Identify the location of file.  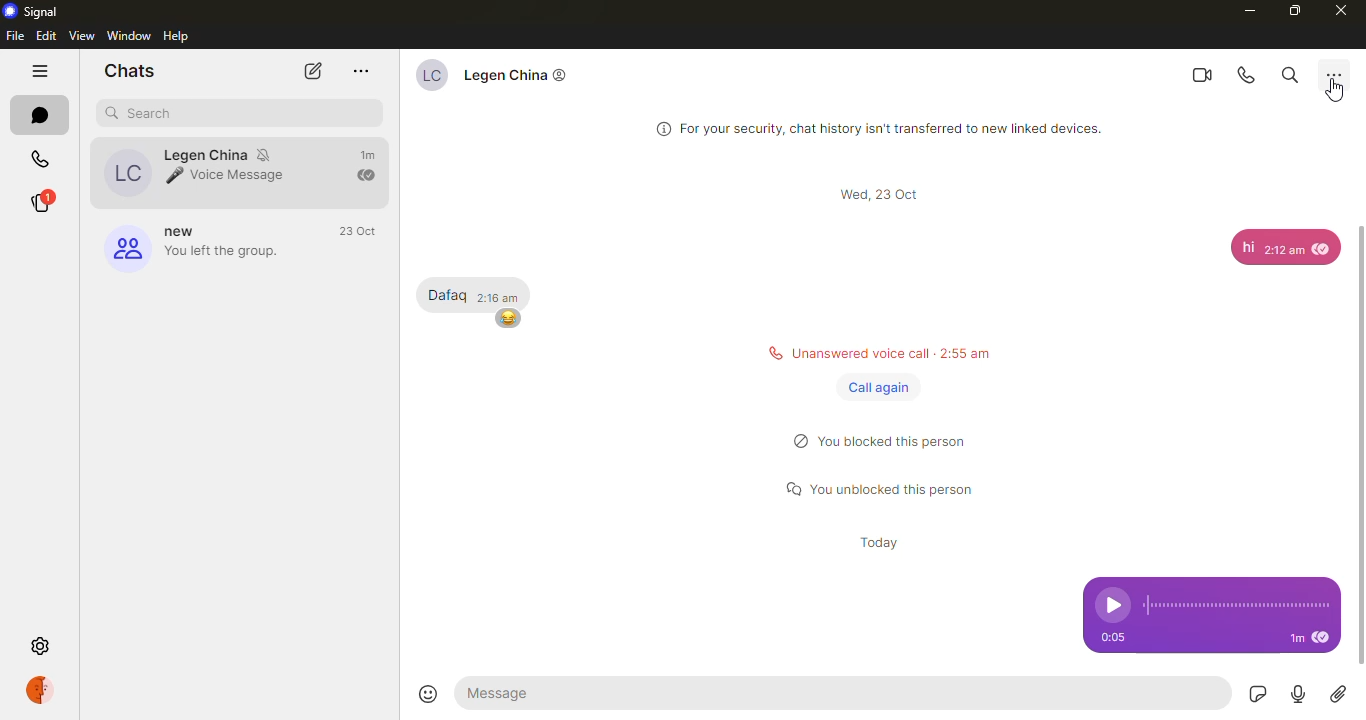
(15, 36).